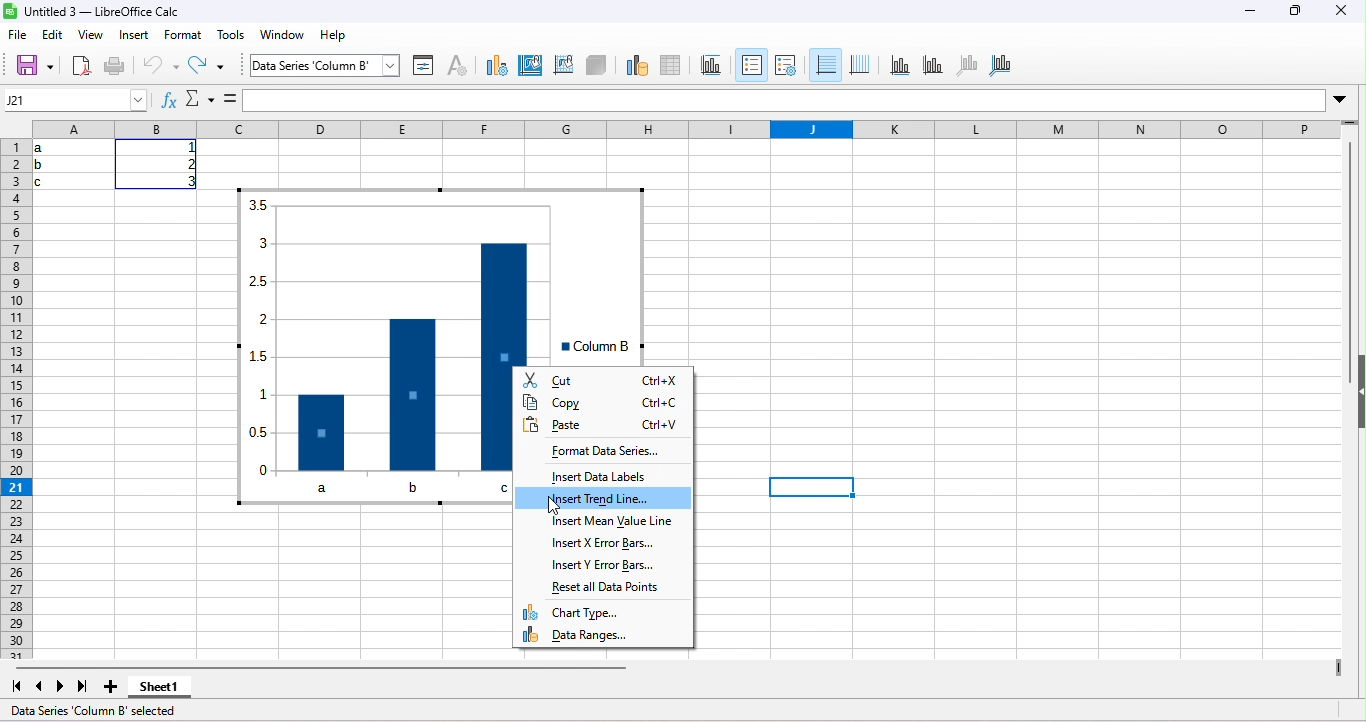 The height and width of the screenshot is (722, 1366). What do you see at coordinates (94, 34) in the screenshot?
I see `view` at bounding box center [94, 34].